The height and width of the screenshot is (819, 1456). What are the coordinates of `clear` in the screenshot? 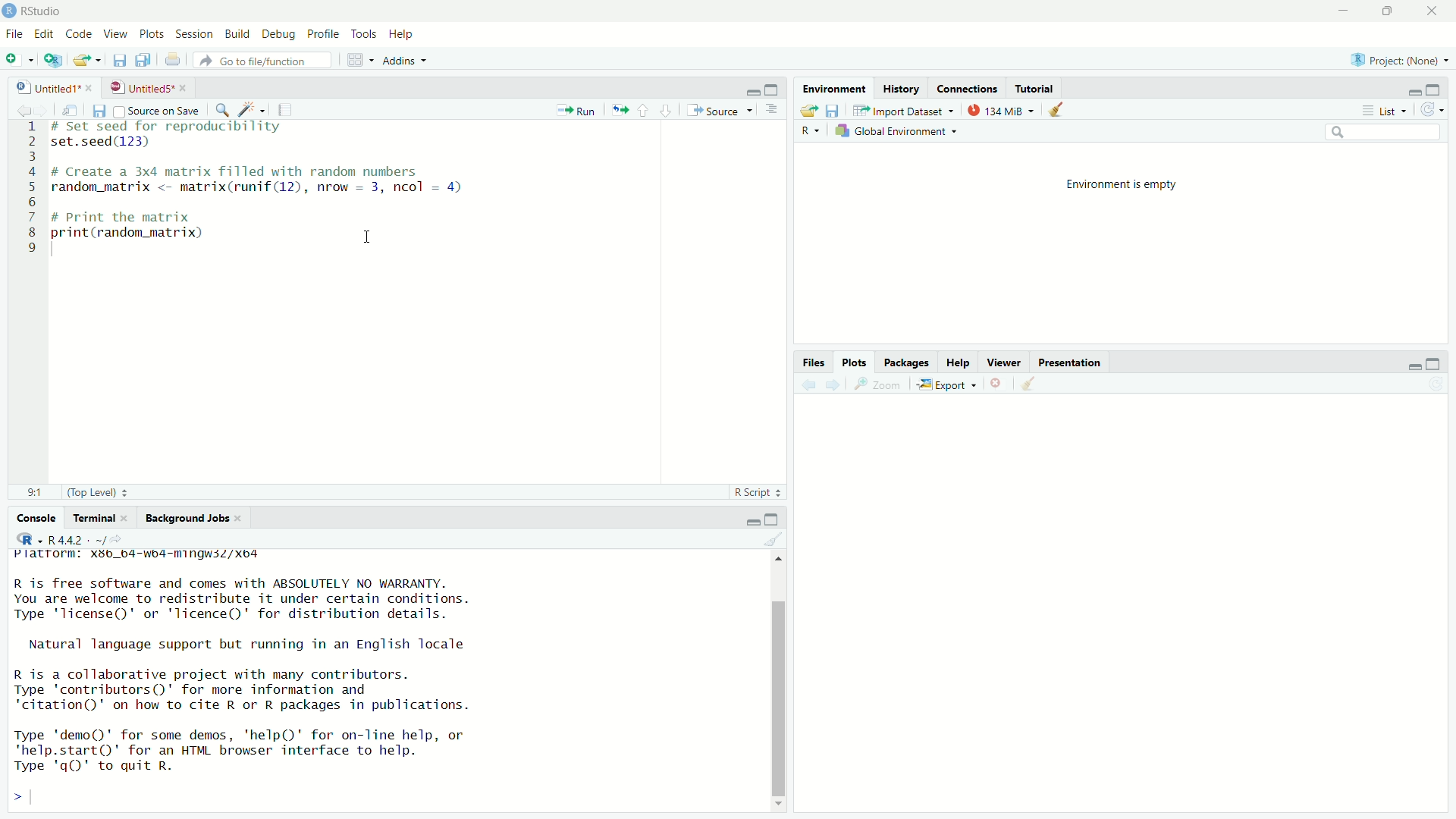 It's located at (1034, 384).